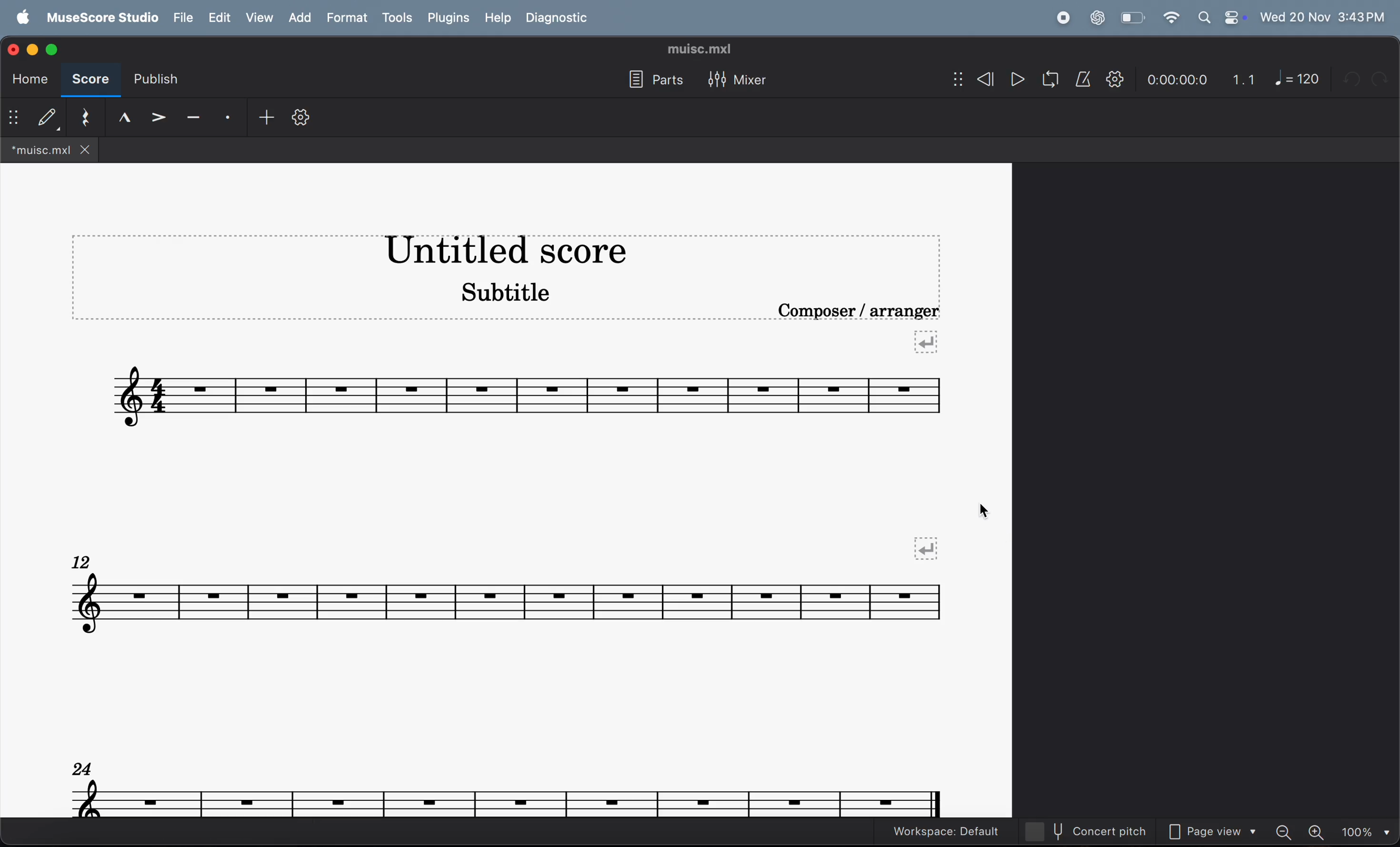  What do you see at coordinates (931, 545) in the screenshot?
I see `rows` at bounding box center [931, 545].